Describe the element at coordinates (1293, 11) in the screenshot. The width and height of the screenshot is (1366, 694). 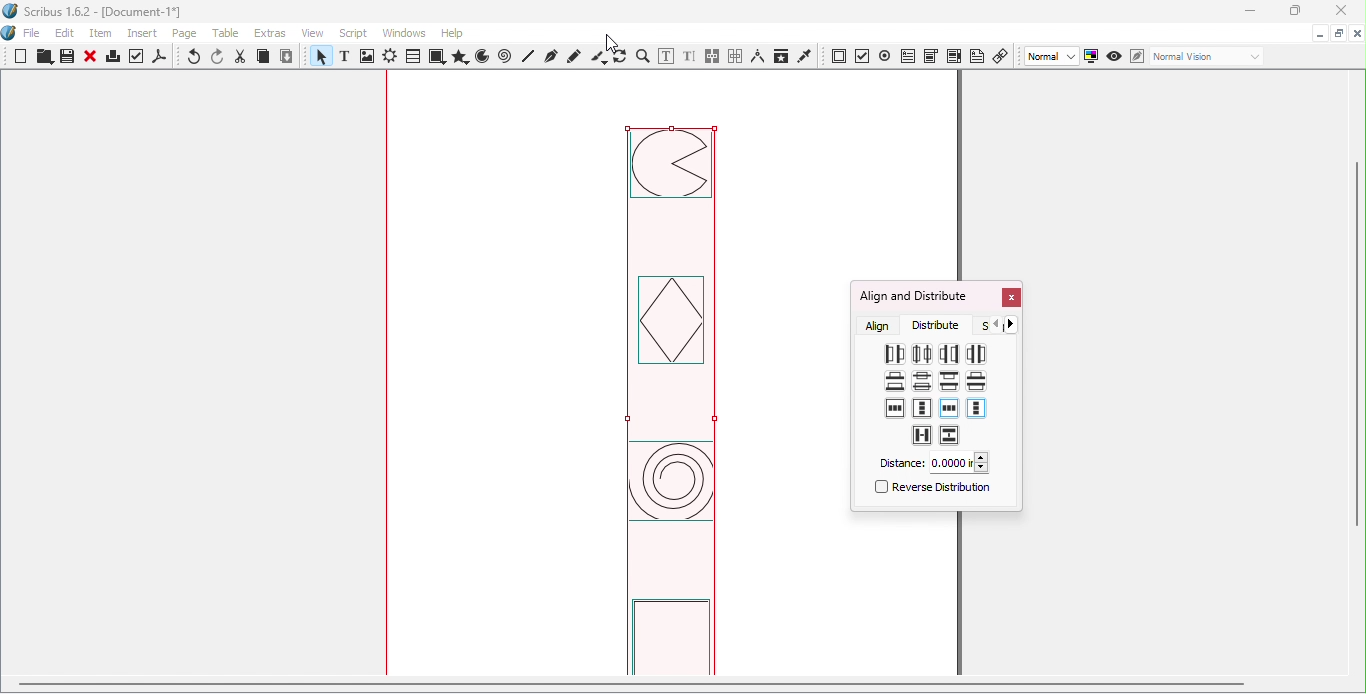
I see `Maximize` at that location.